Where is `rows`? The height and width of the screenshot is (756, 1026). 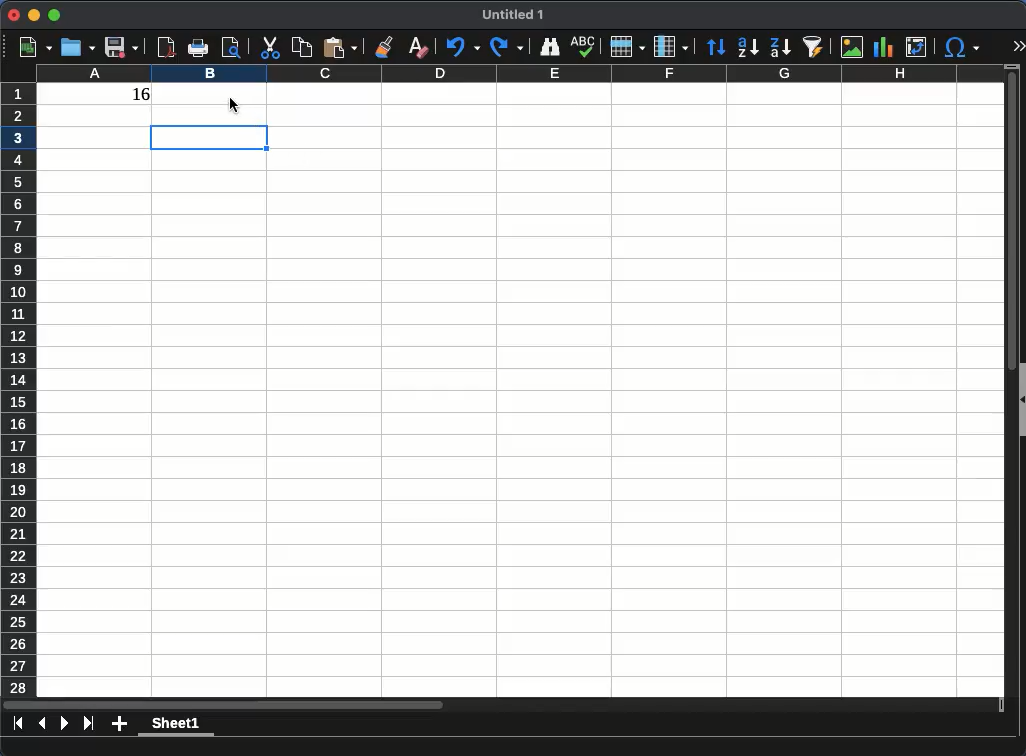 rows is located at coordinates (628, 47).